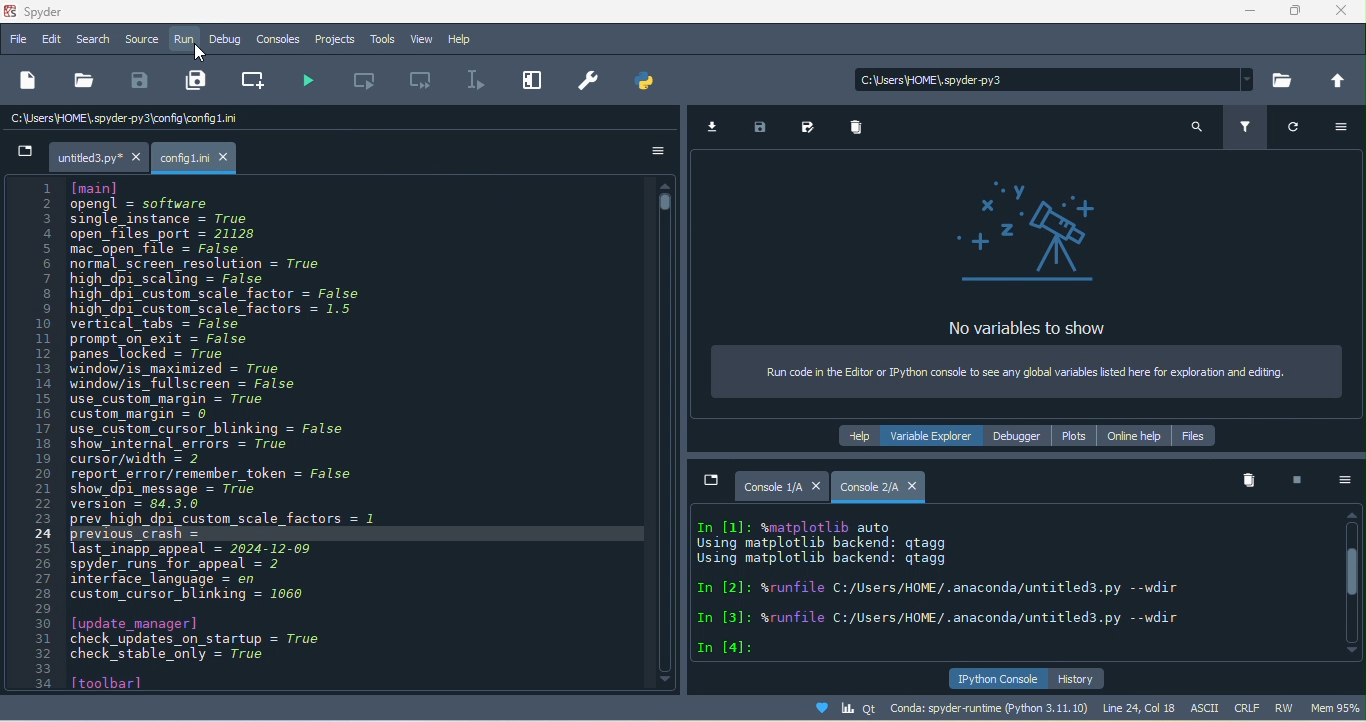  What do you see at coordinates (1290, 707) in the screenshot?
I see `rw` at bounding box center [1290, 707].